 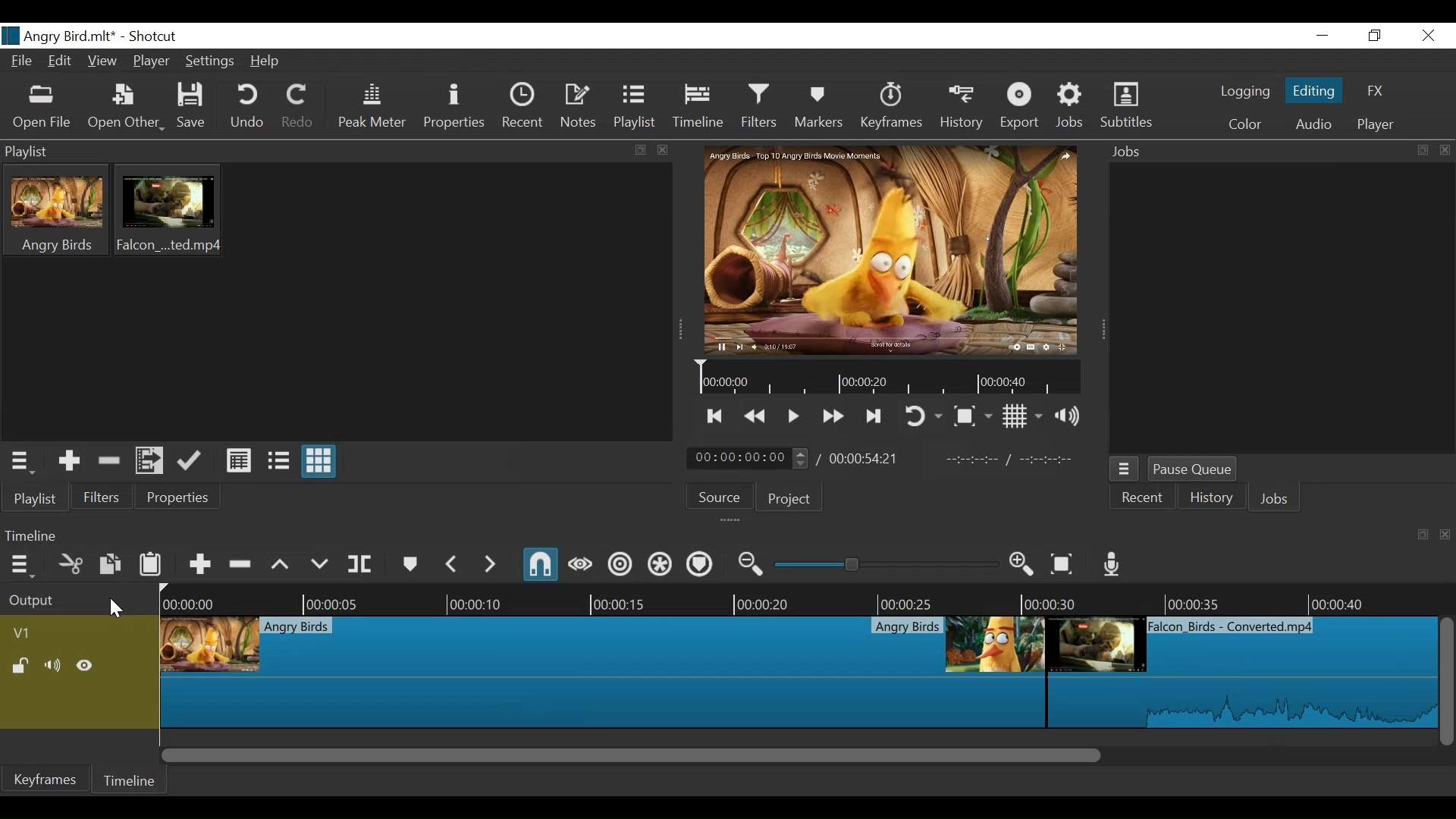 What do you see at coordinates (580, 106) in the screenshot?
I see `Notes` at bounding box center [580, 106].